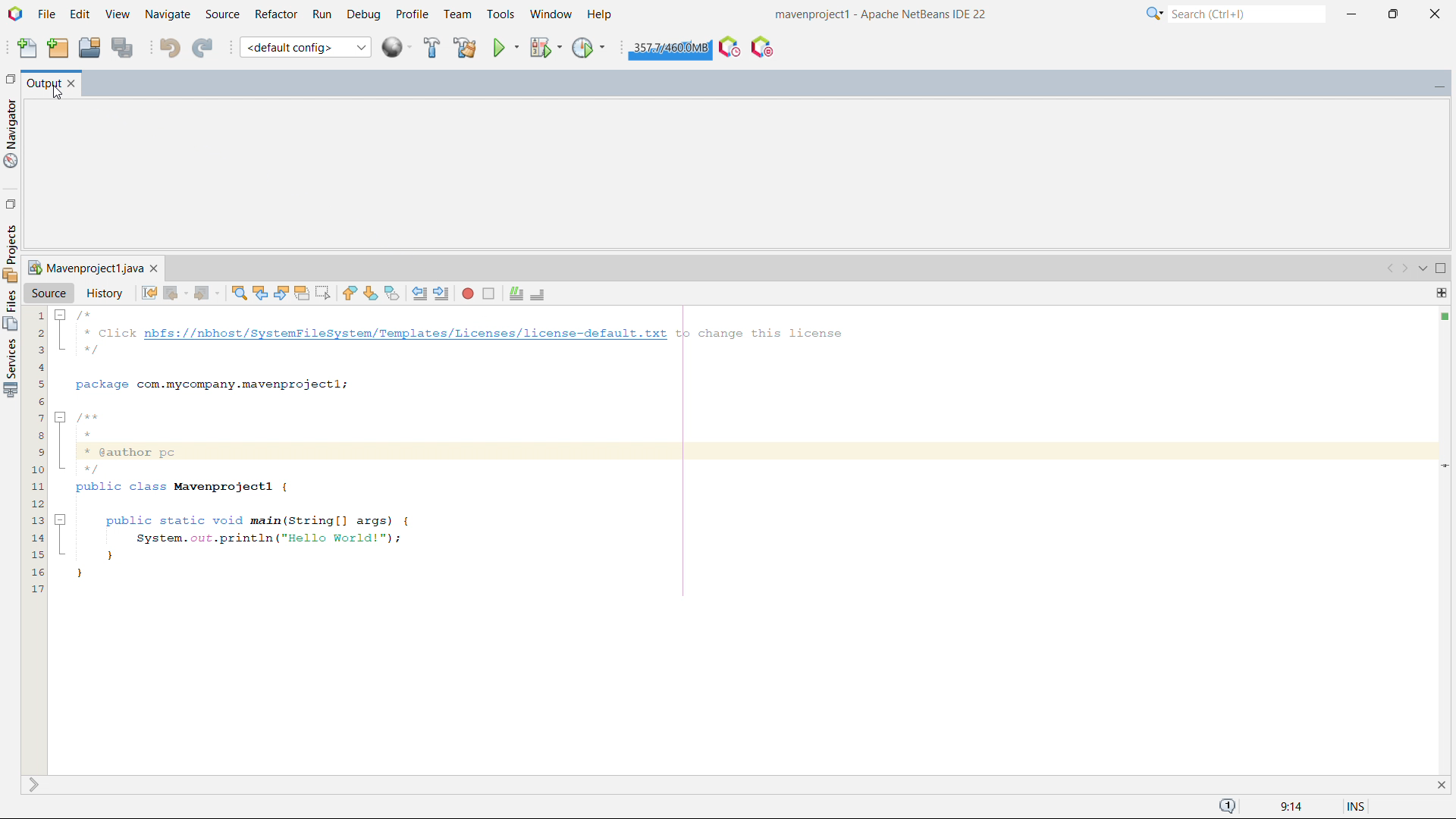  Describe the element at coordinates (322, 15) in the screenshot. I see `run` at that location.